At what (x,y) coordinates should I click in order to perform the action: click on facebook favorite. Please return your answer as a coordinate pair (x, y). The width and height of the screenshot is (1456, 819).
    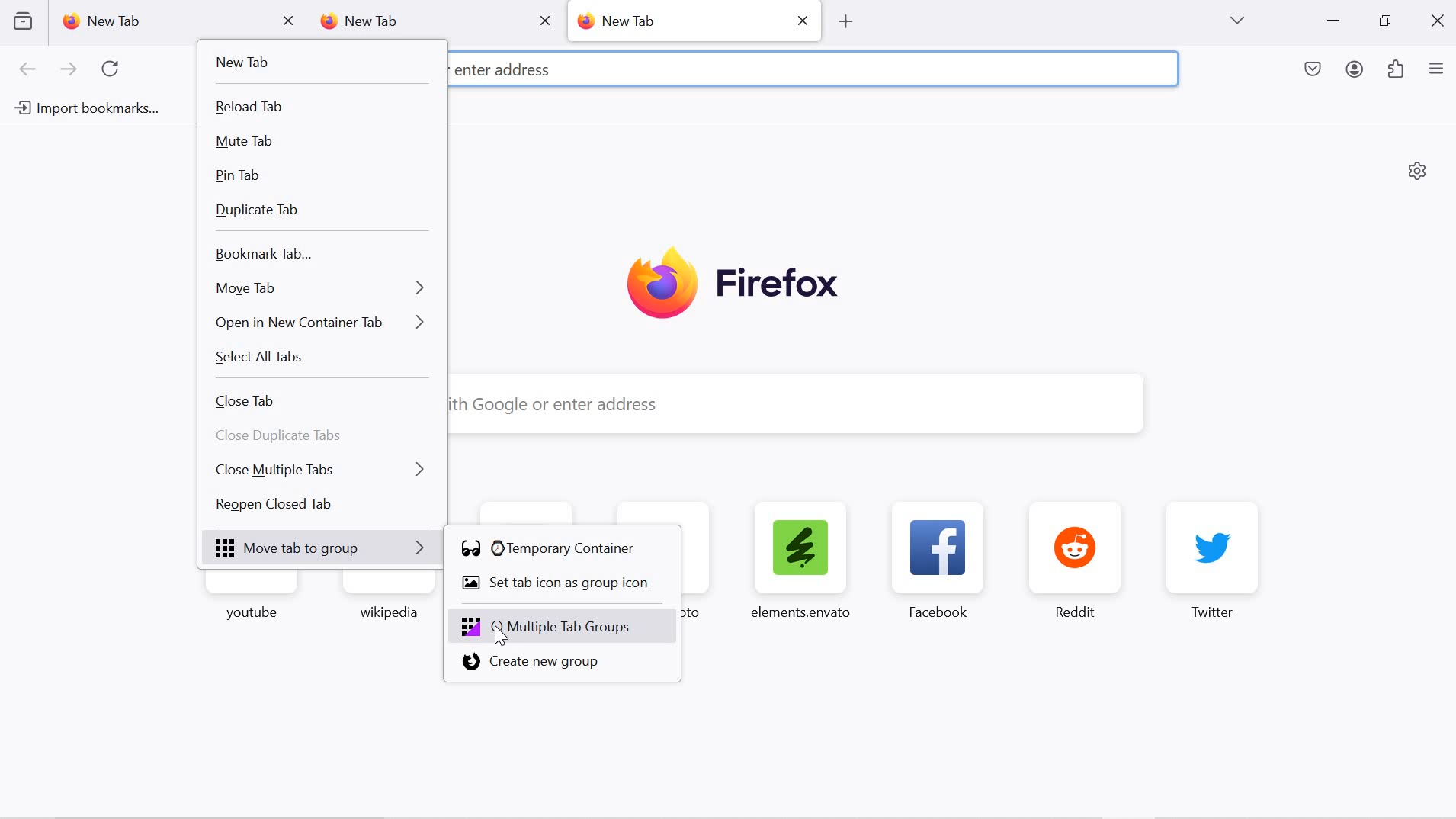
    Looking at the image, I should click on (943, 560).